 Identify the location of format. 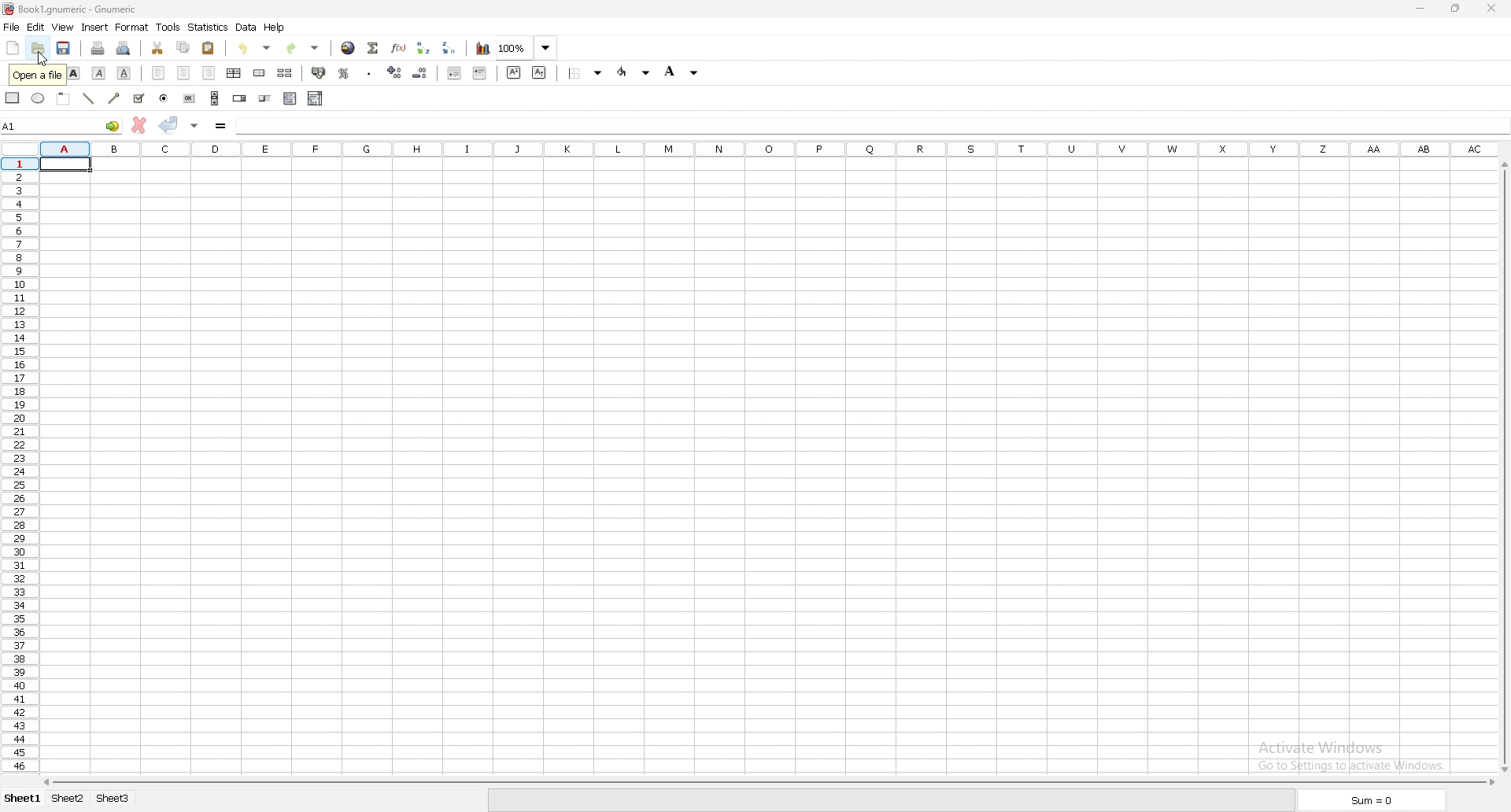
(133, 27).